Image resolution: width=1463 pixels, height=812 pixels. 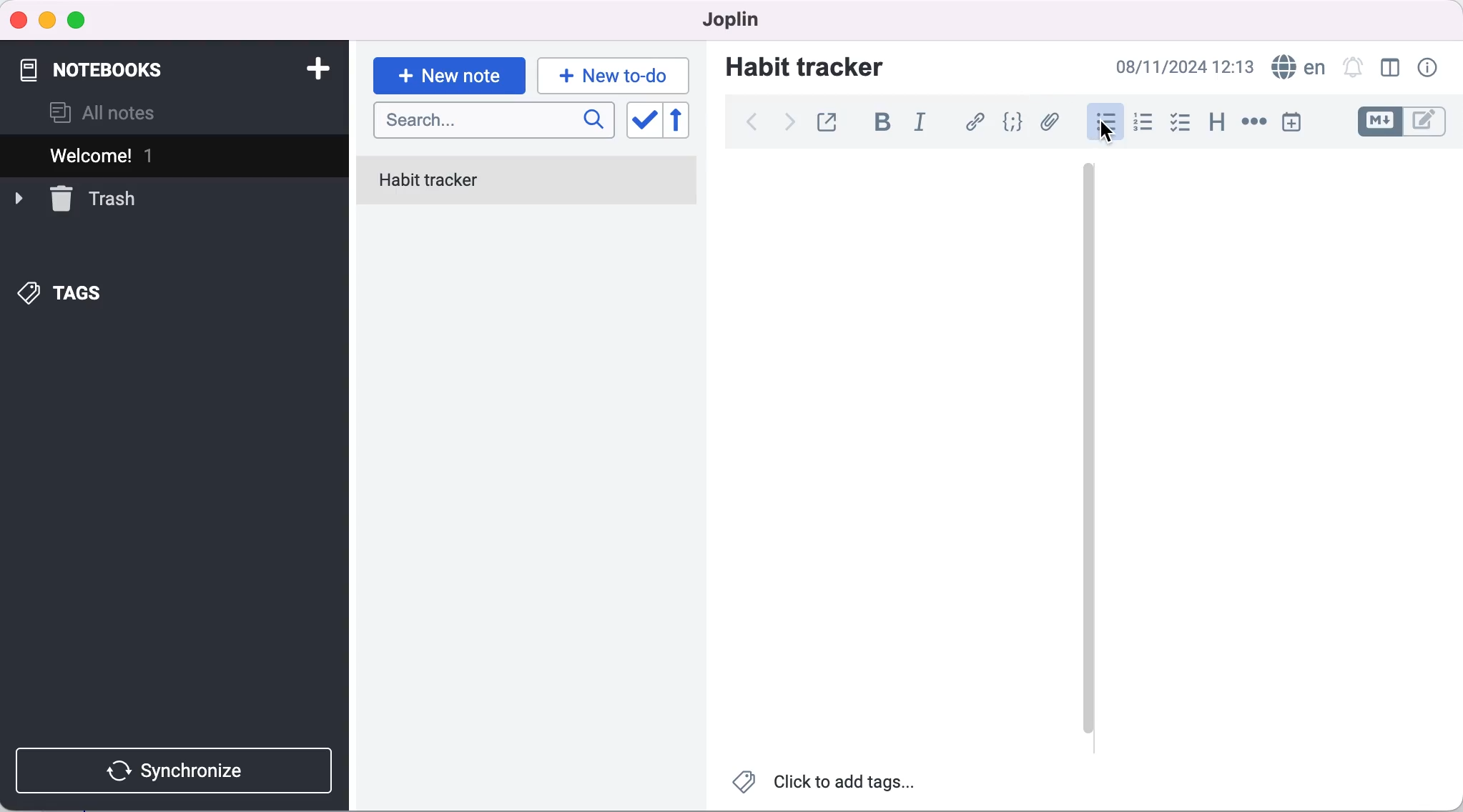 I want to click on typing, so click(x=614, y=75).